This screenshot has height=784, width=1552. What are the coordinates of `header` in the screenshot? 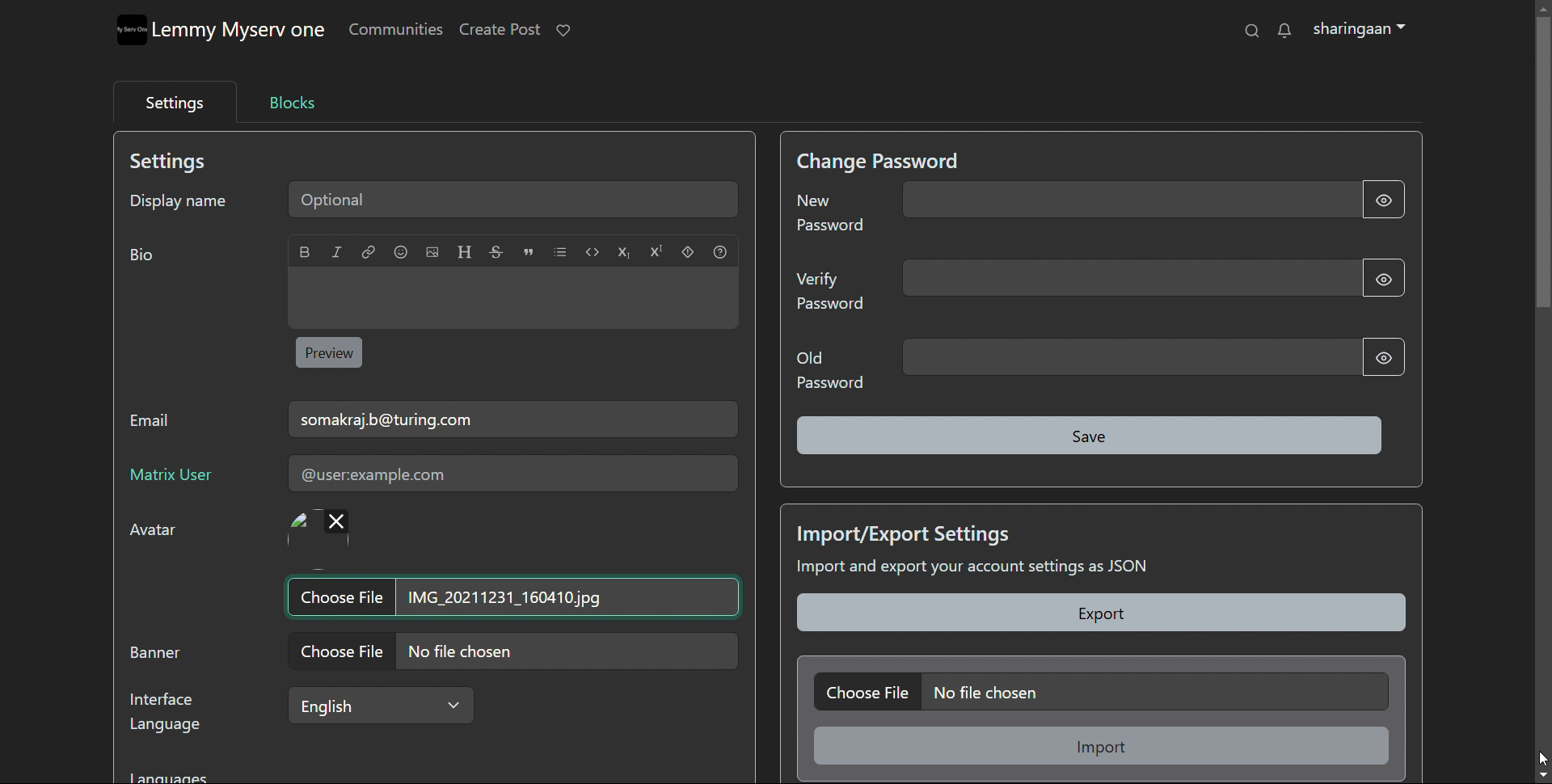 It's located at (465, 252).